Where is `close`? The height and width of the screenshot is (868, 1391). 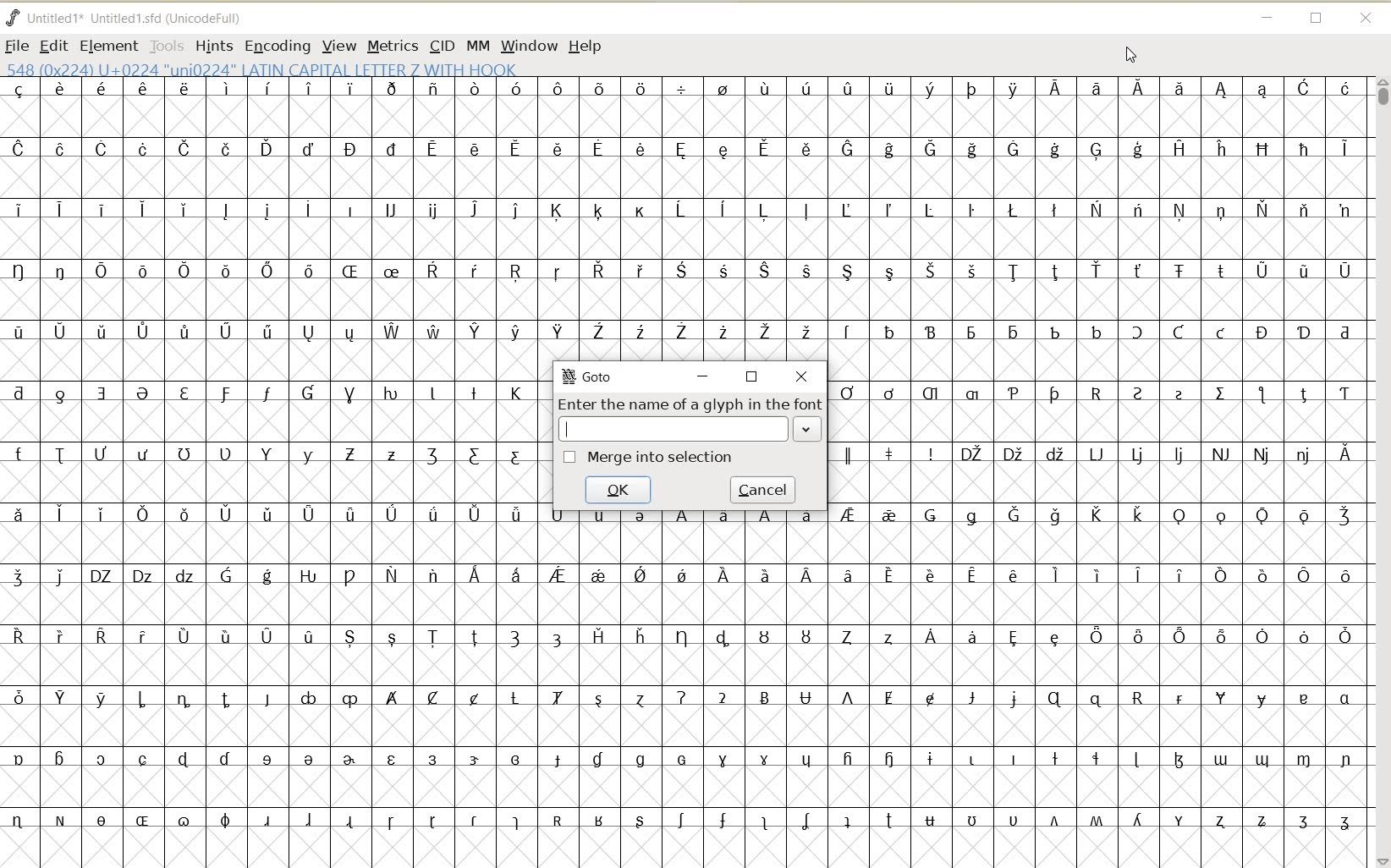
close is located at coordinates (804, 377).